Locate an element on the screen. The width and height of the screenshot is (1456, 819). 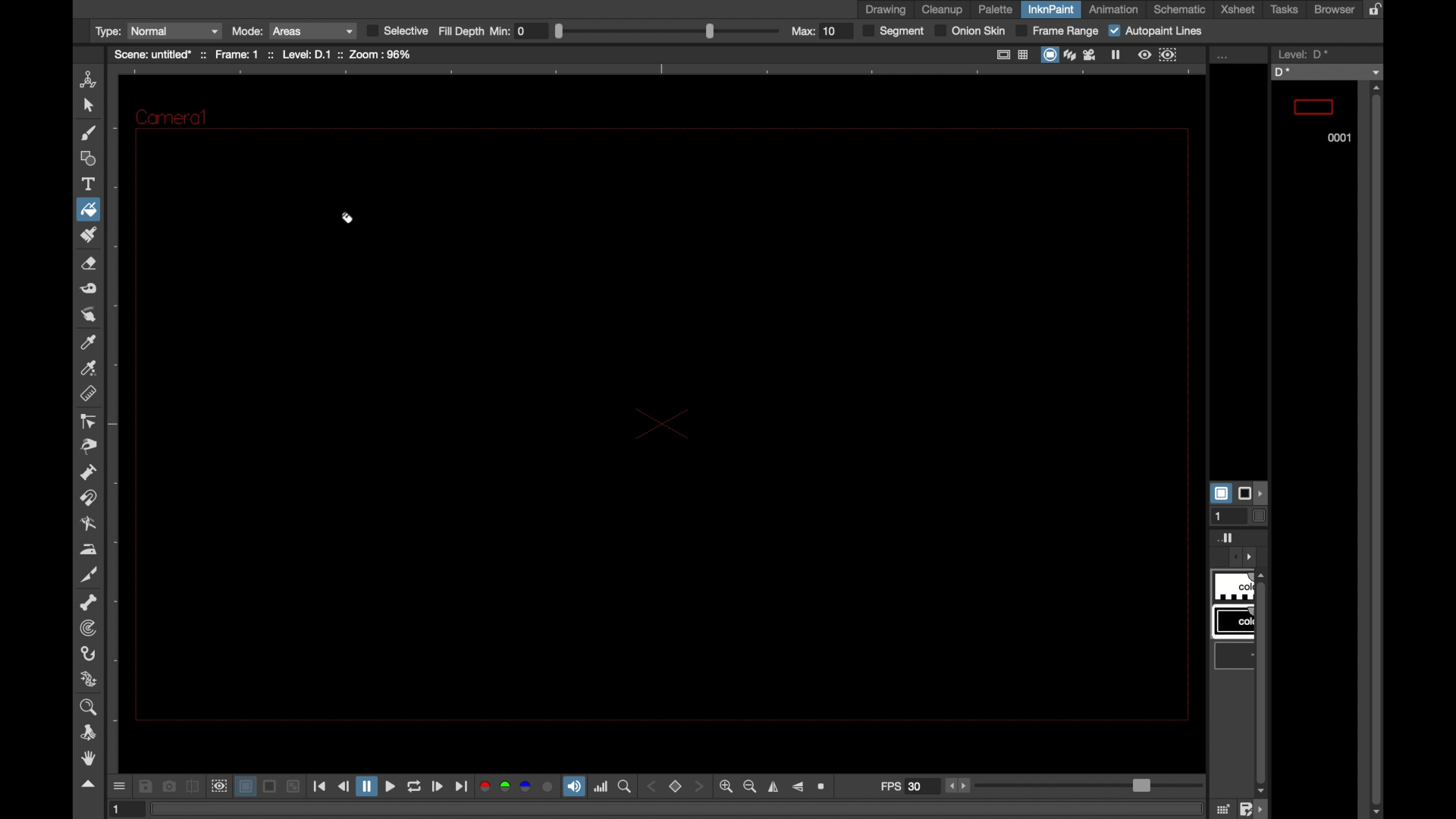
zoom is located at coordinates (824, 787).